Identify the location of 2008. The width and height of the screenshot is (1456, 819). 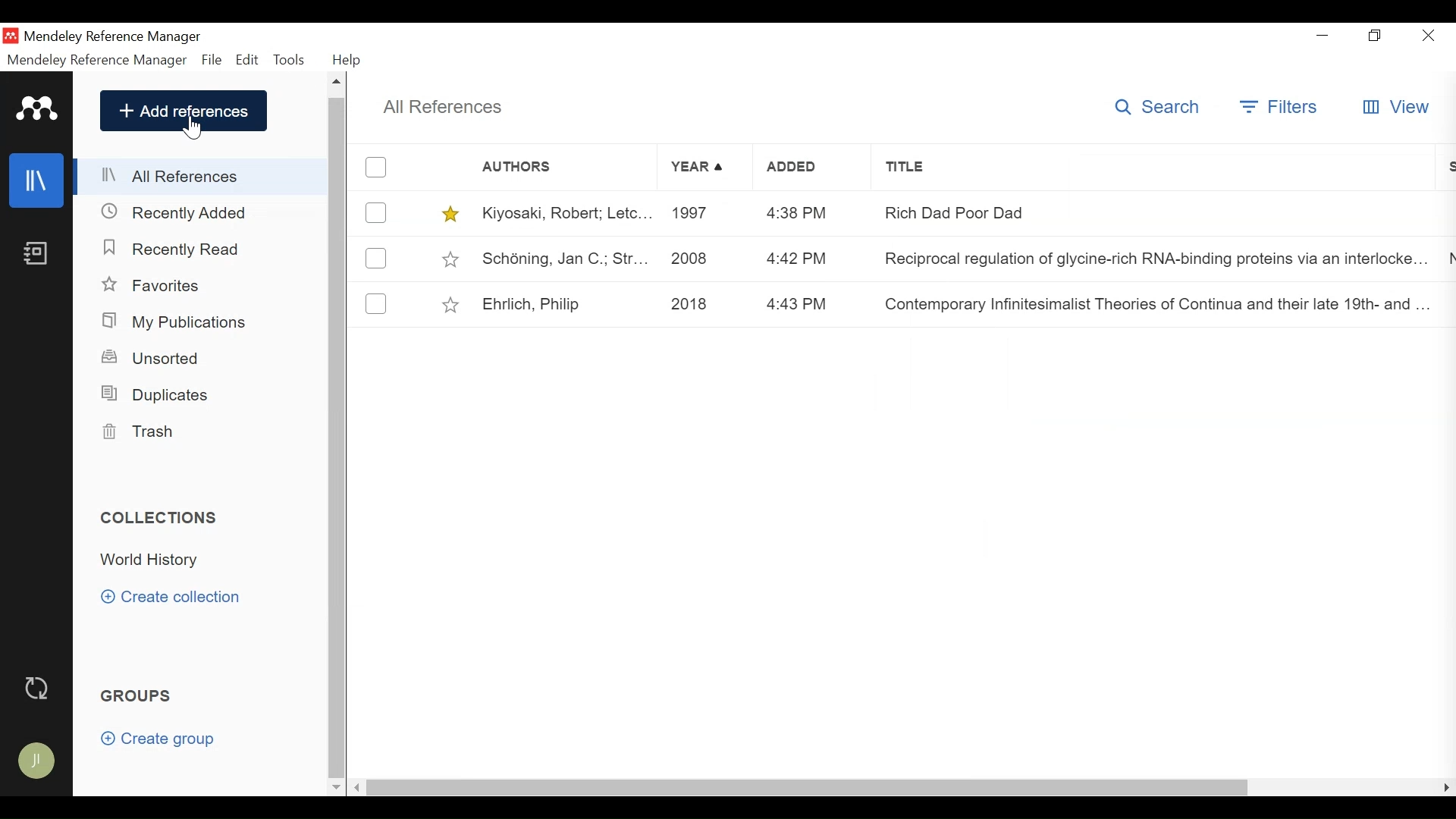
(694, 259).